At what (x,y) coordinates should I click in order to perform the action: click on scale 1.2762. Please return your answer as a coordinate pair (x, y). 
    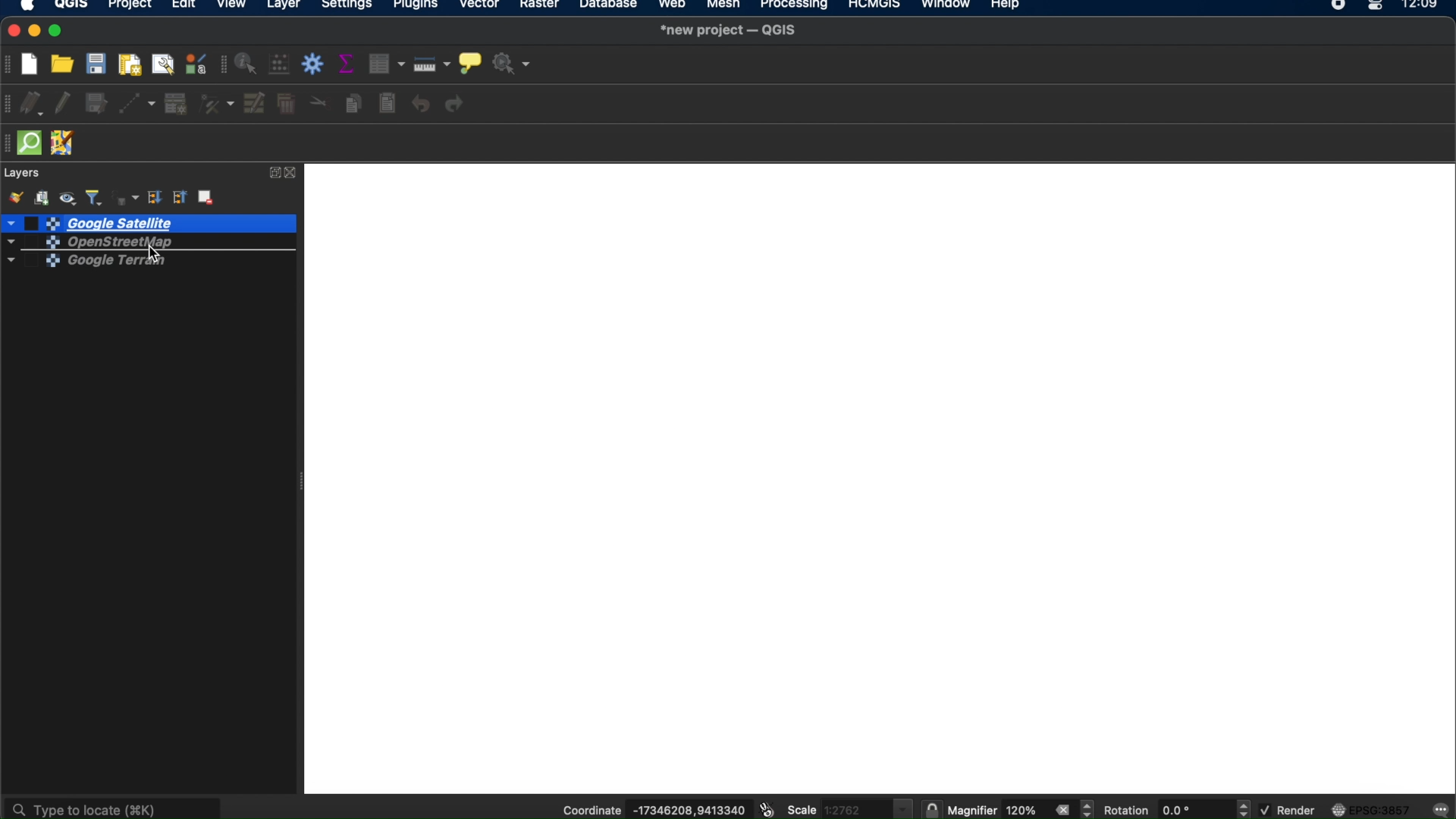
    Looking at the image, I should click on (849, 807).